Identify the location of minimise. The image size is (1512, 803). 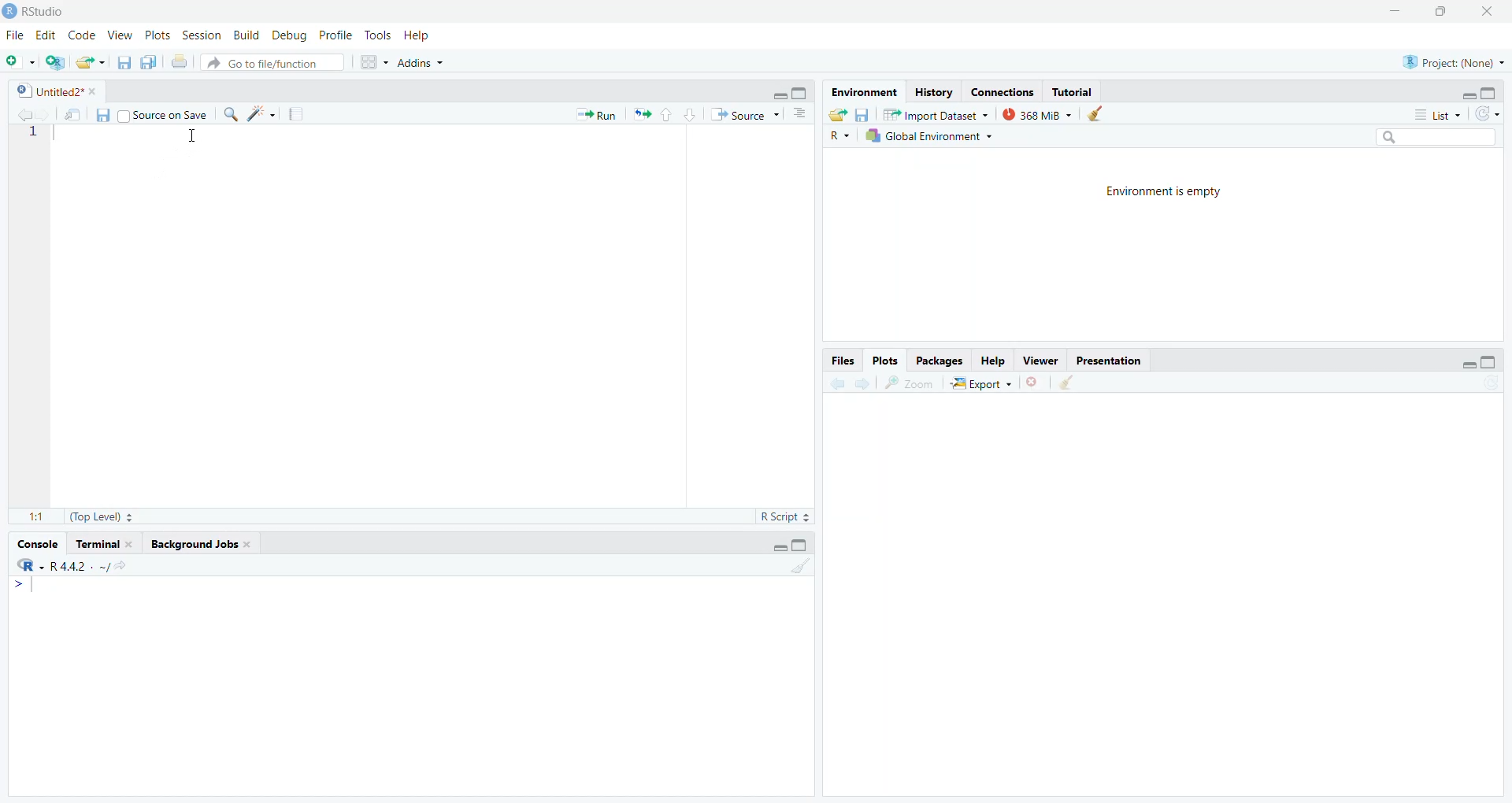
(1395, 6).